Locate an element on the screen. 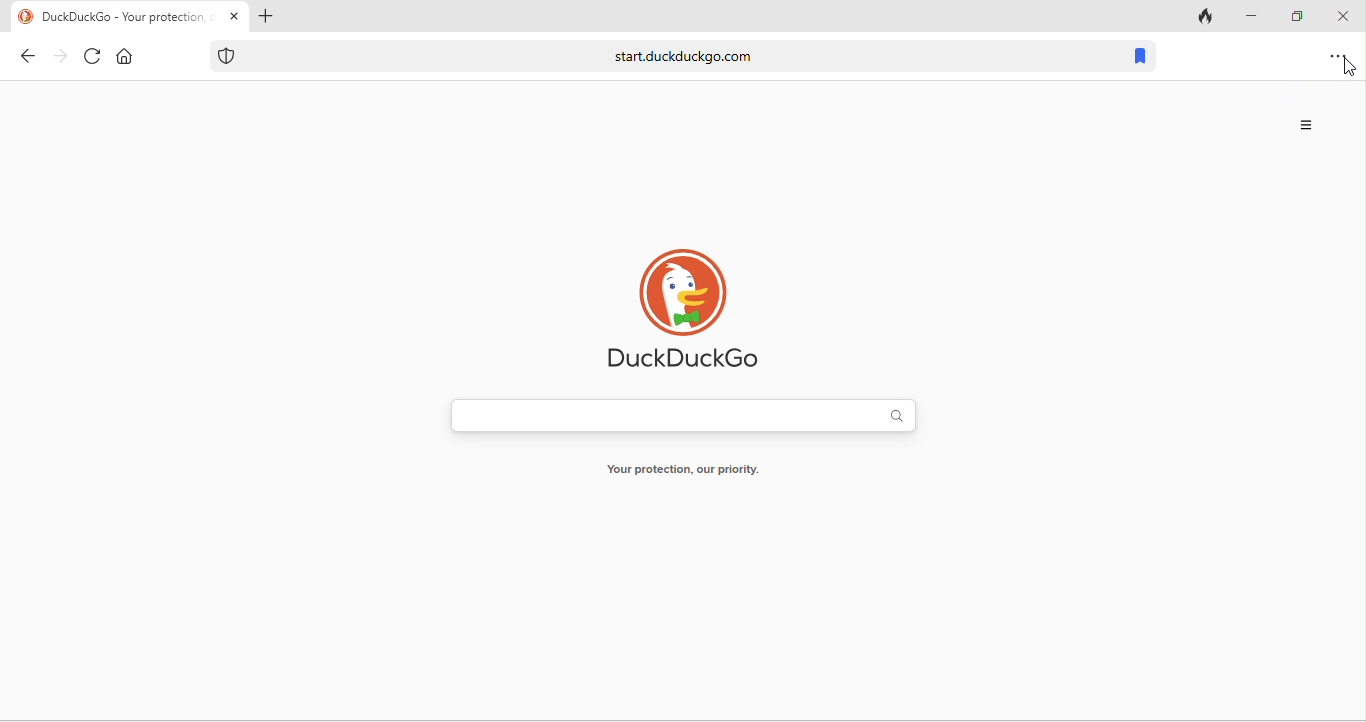 This screenshot has height=722, width=1366. bookmark is located at coordinates (1144, 55).